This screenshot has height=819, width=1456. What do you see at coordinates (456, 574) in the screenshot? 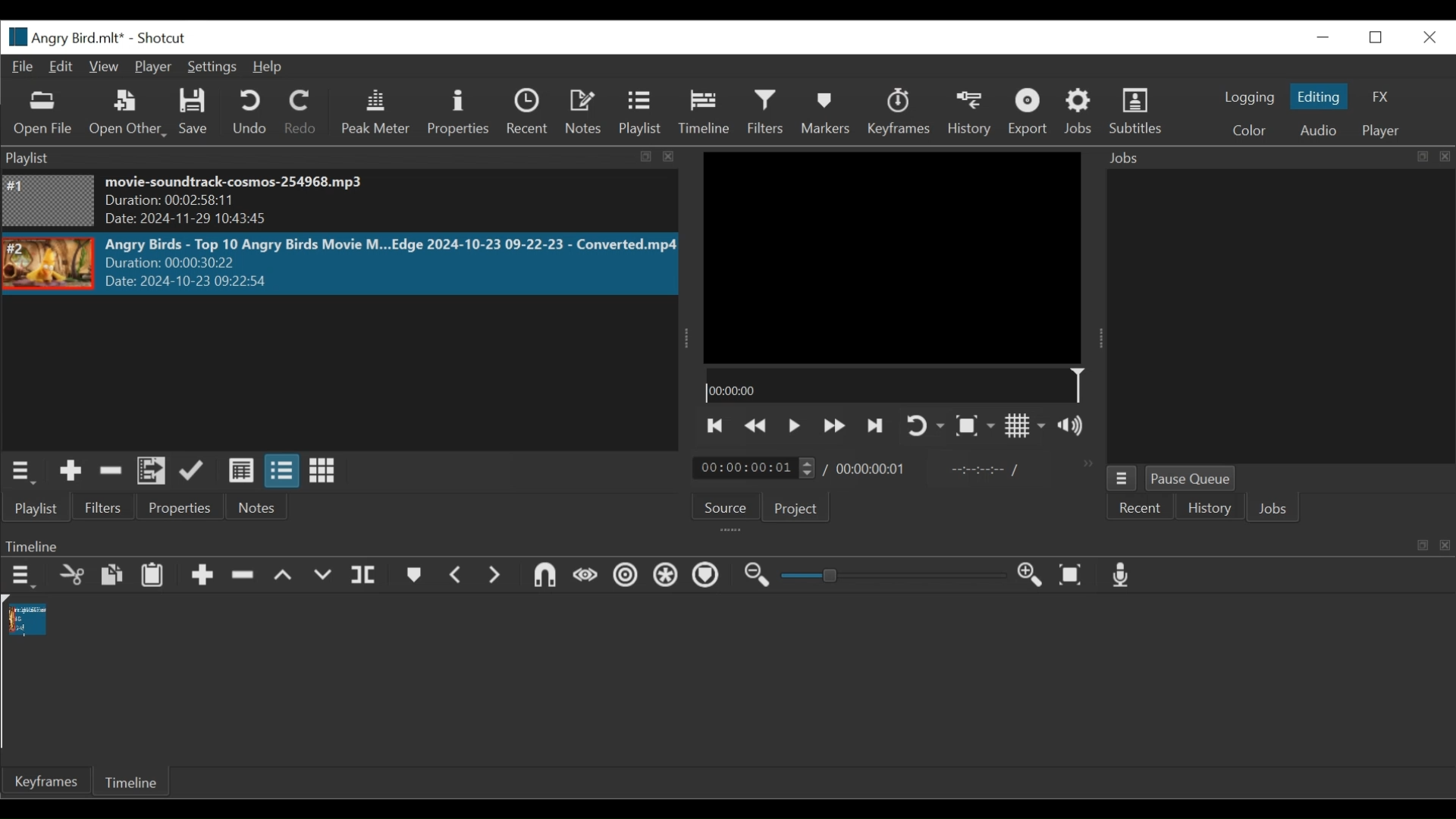
I see `Previous marker` at bounding box center [456, 574].